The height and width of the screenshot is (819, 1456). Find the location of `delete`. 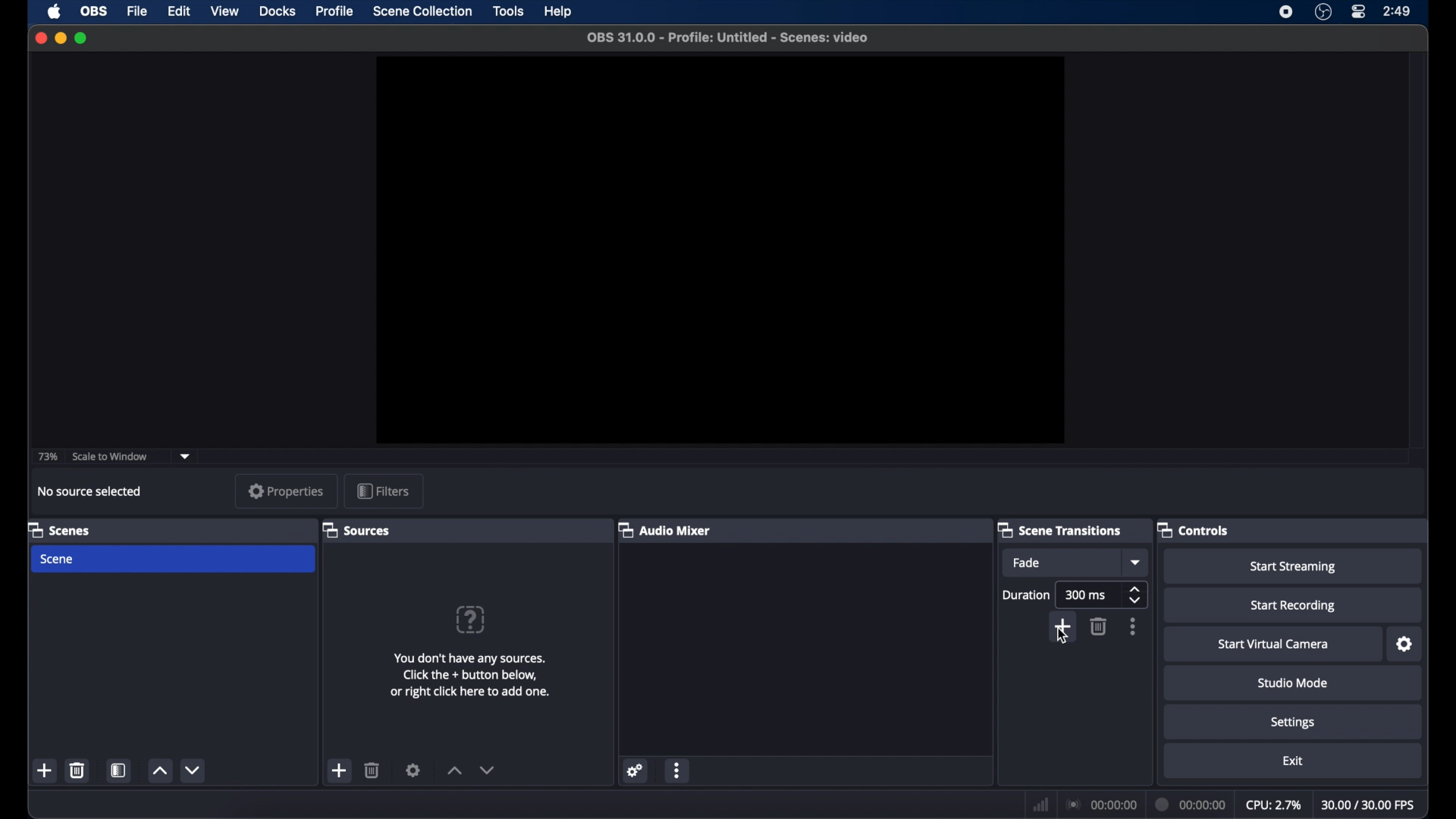

delete is located at coordinates (77, 770).